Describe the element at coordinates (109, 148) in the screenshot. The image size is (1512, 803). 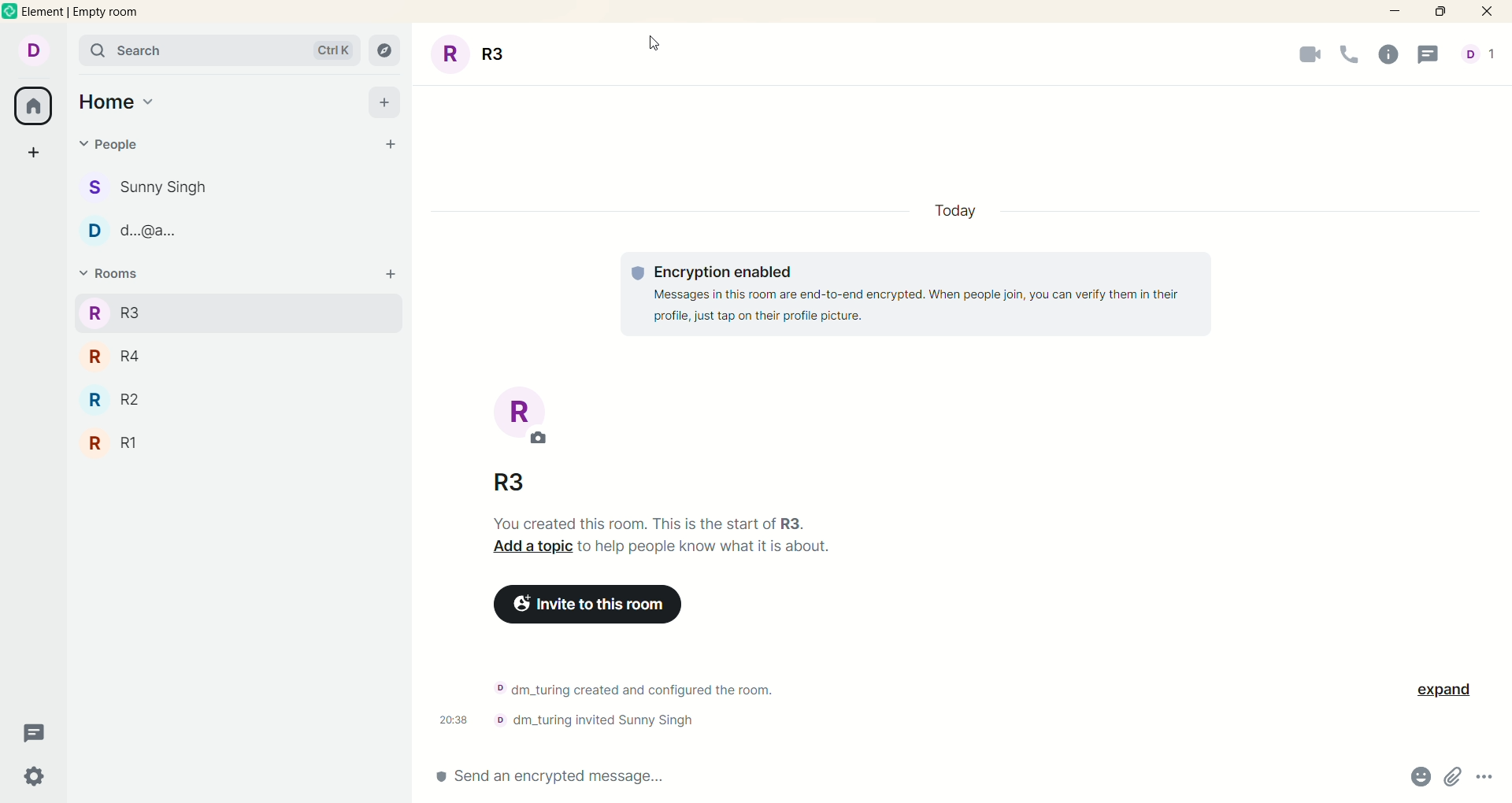
I see `people` at that location.